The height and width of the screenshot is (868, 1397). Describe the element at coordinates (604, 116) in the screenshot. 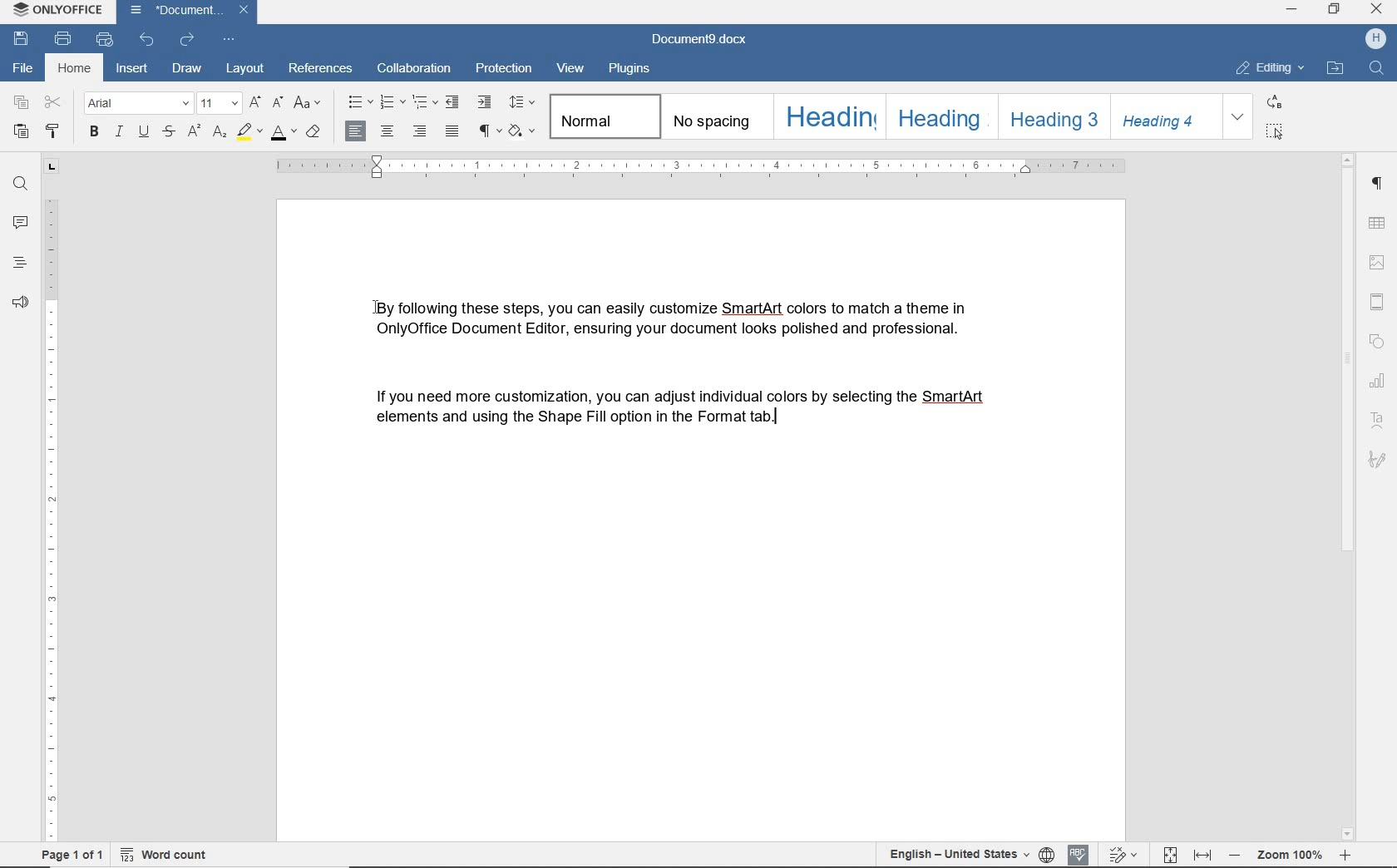

I see `normal` at that location.